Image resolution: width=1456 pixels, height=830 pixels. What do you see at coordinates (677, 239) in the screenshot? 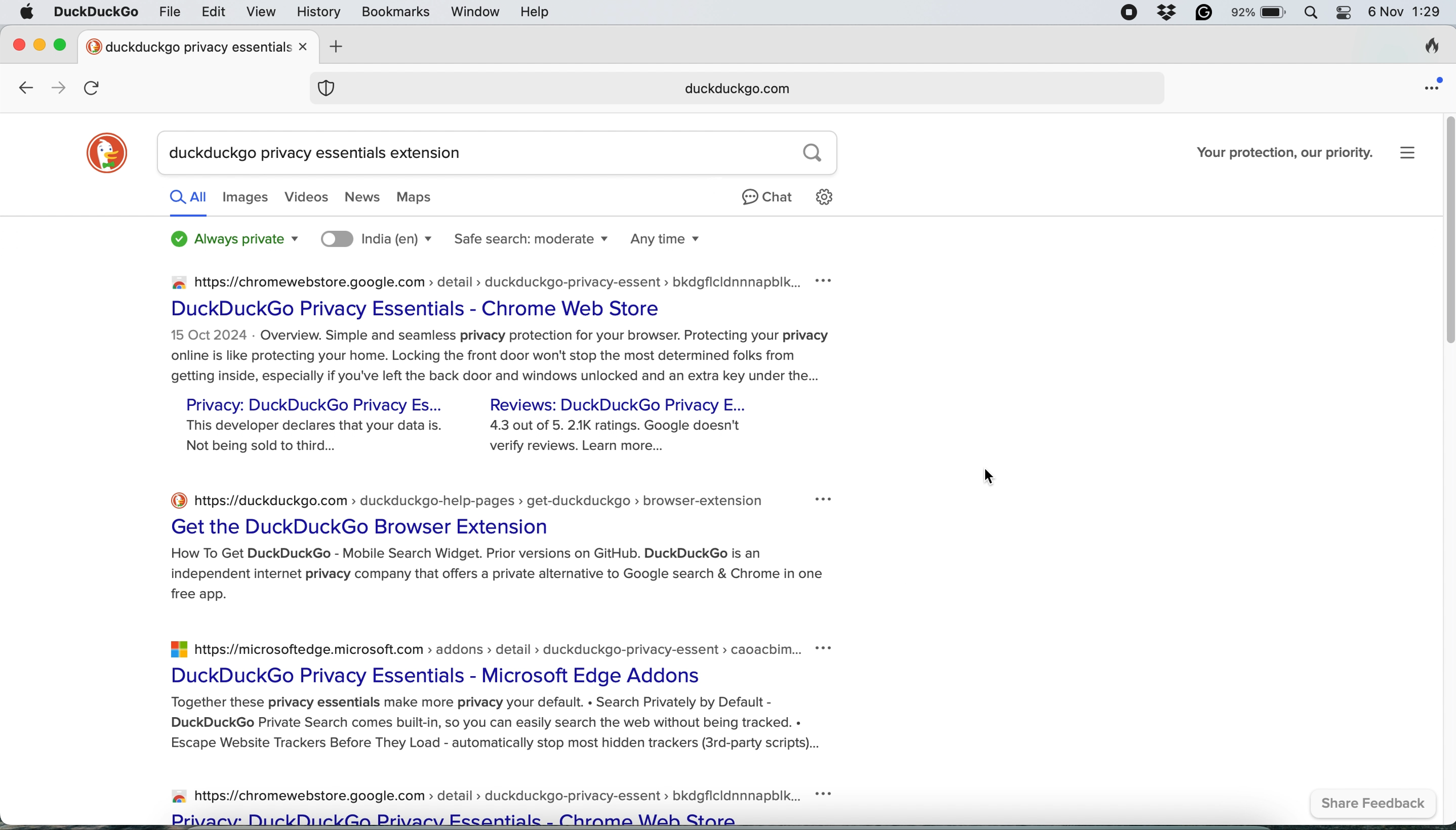
I see `any time` at bounding box center [677, 239].